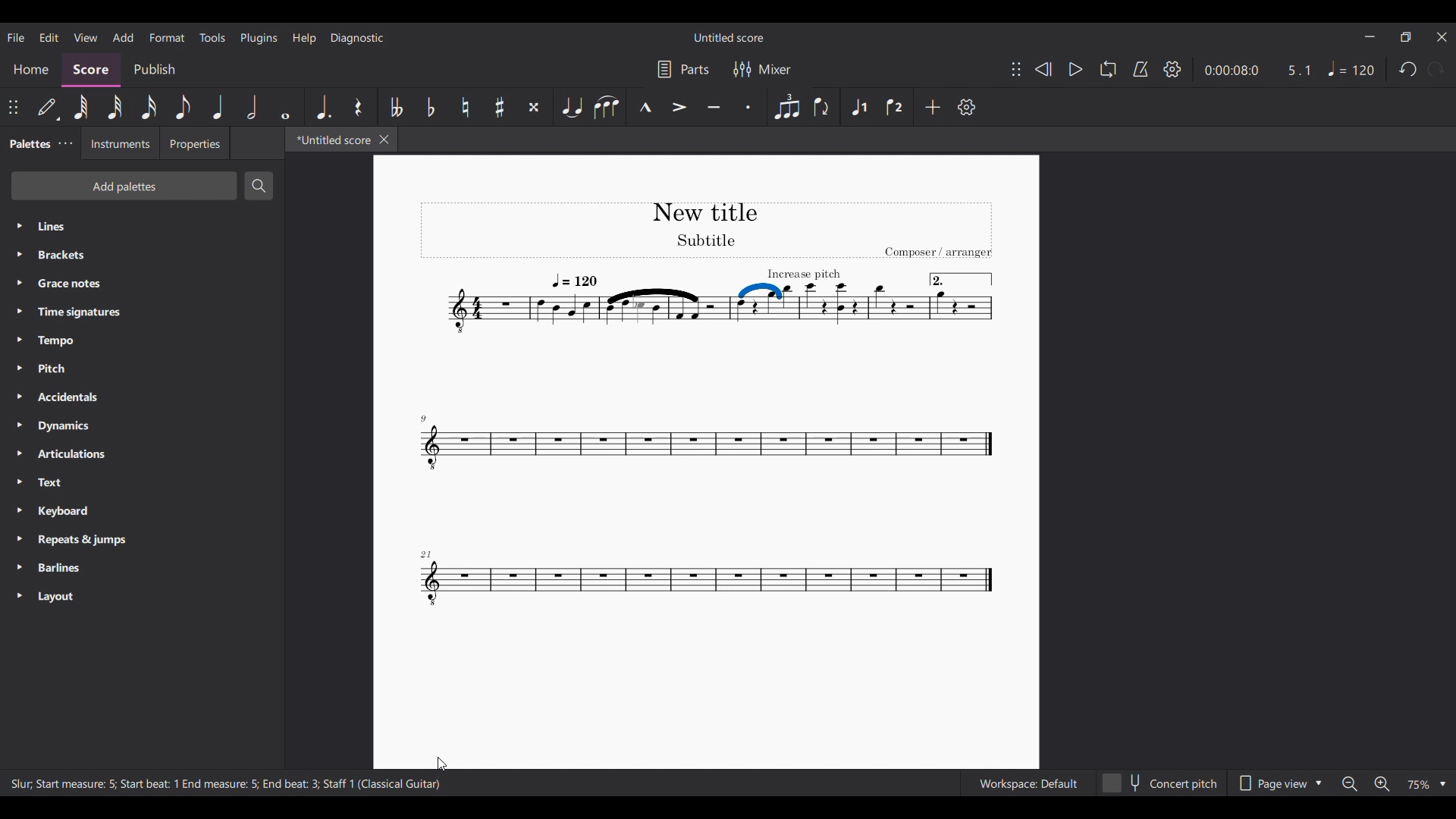  What do you see at coordinates (143, 539) in the screenshot?
I see `Repeats & jumps` at bounding box center [143, 539].